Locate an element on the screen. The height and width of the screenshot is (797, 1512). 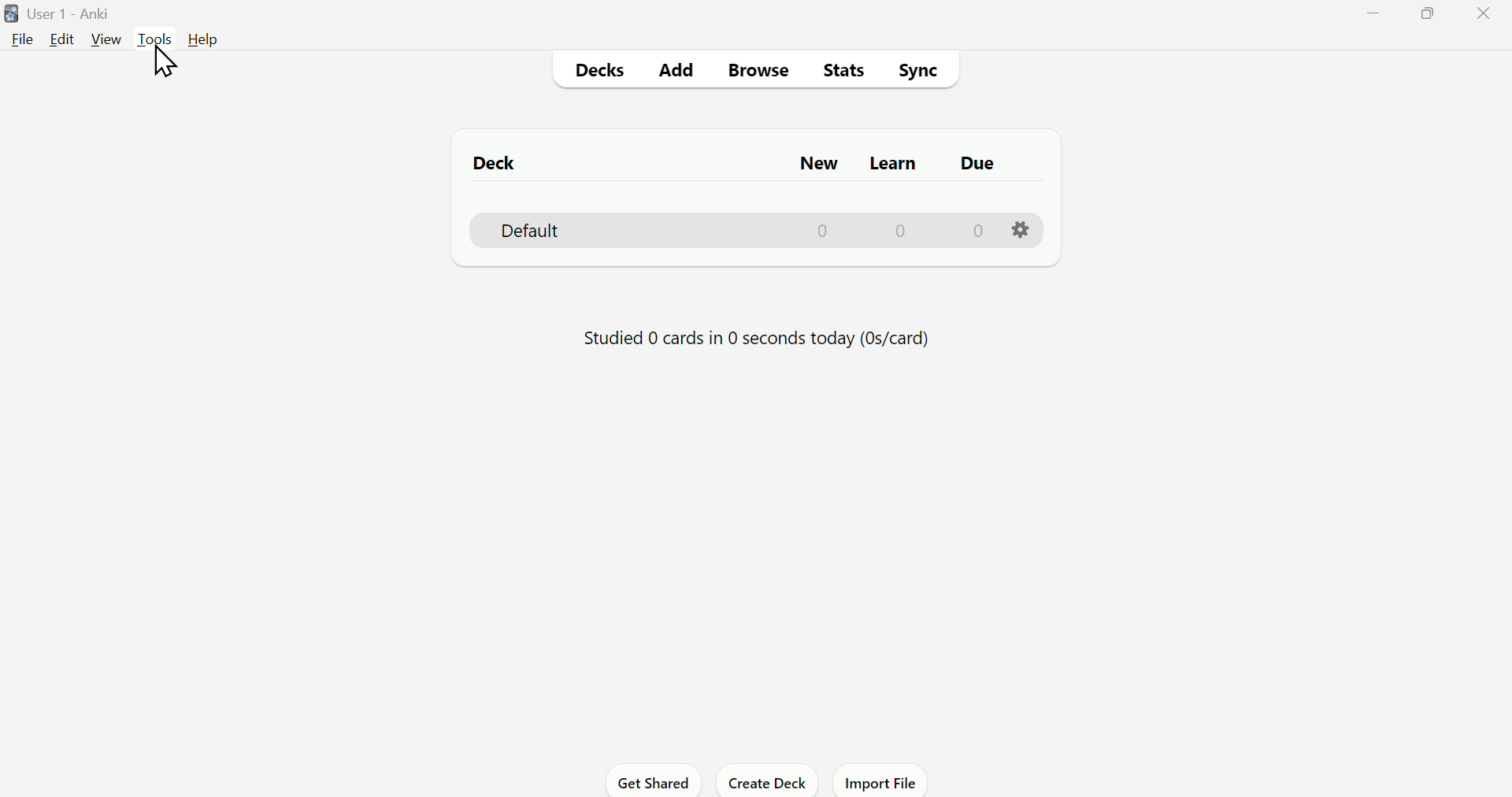
Due is located at coordinates (977, 165).